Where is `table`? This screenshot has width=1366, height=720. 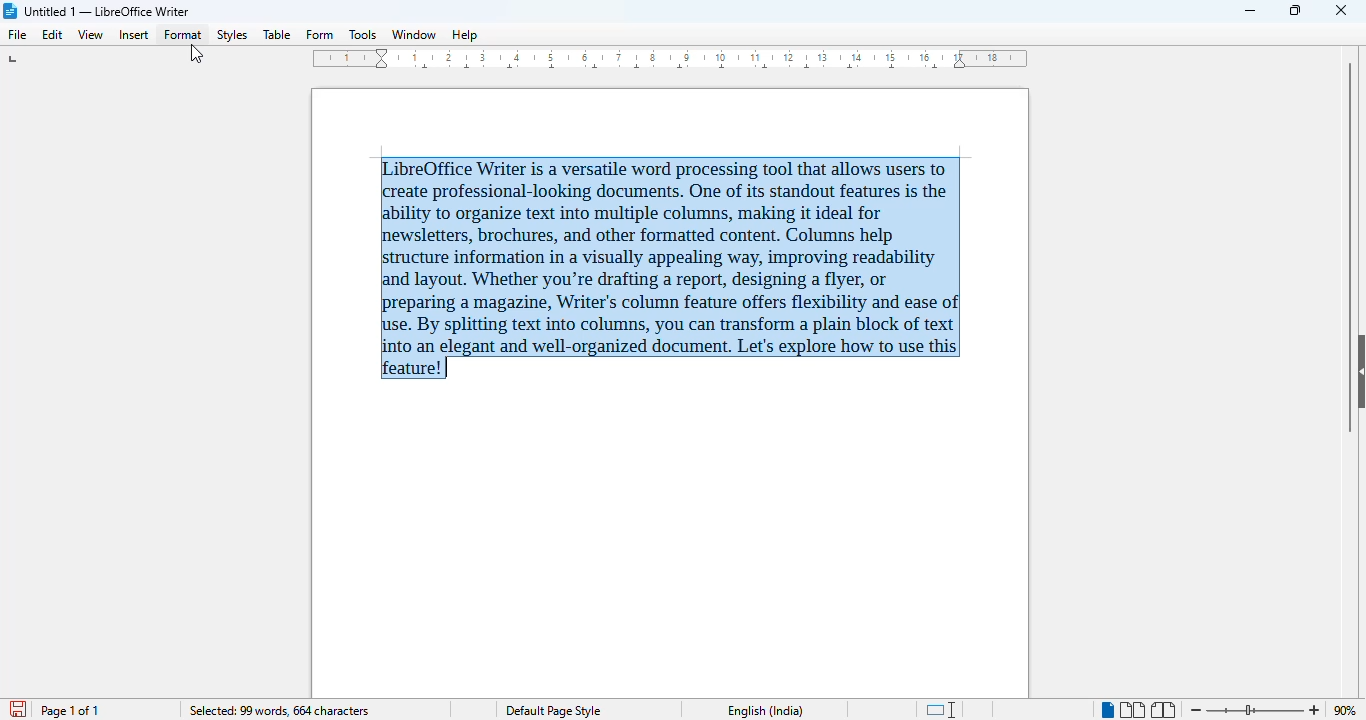
table is located at coordinates (277, 34).